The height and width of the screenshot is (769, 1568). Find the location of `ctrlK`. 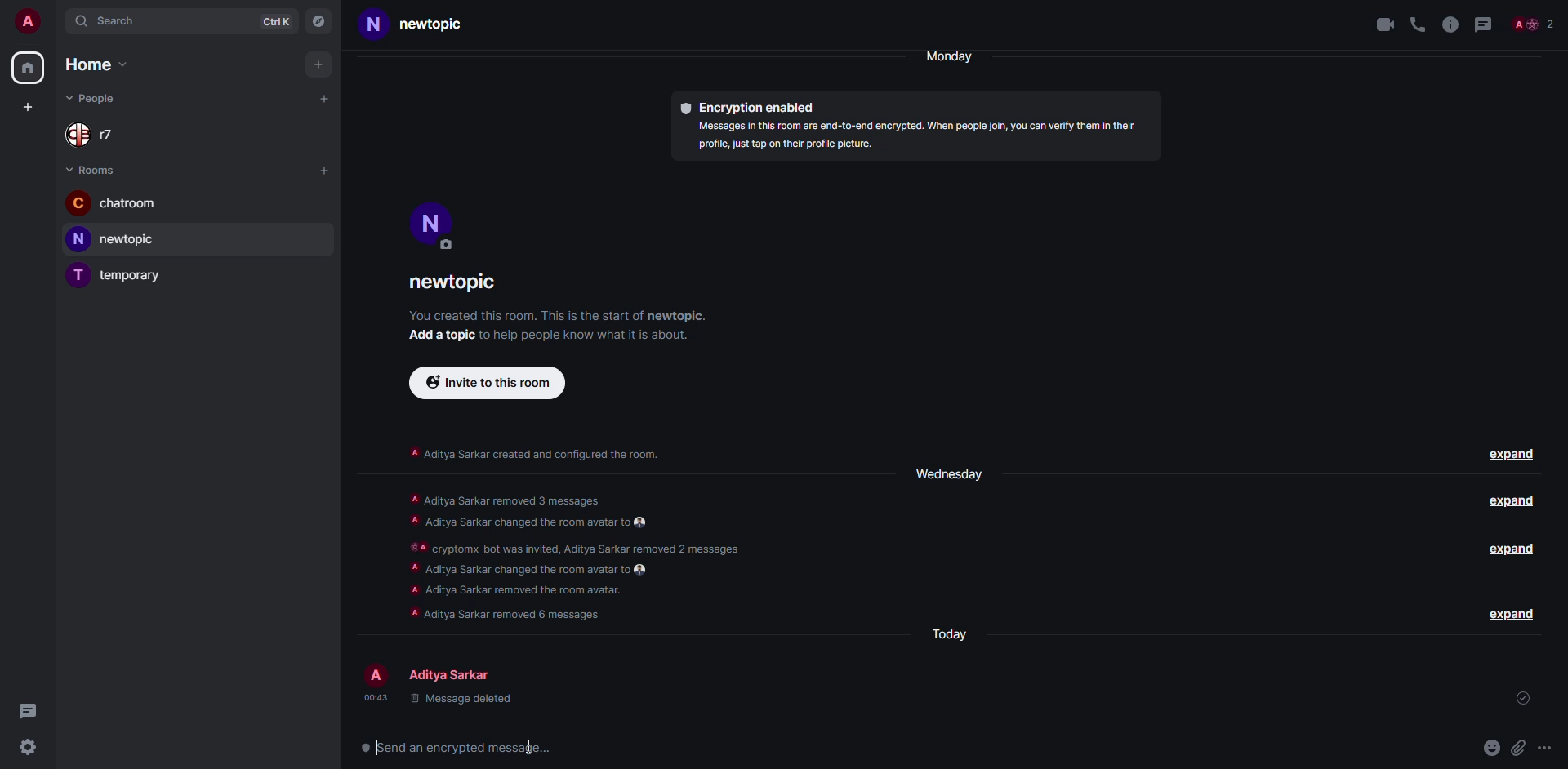

ctrlK is located at coordinates (275, 21).